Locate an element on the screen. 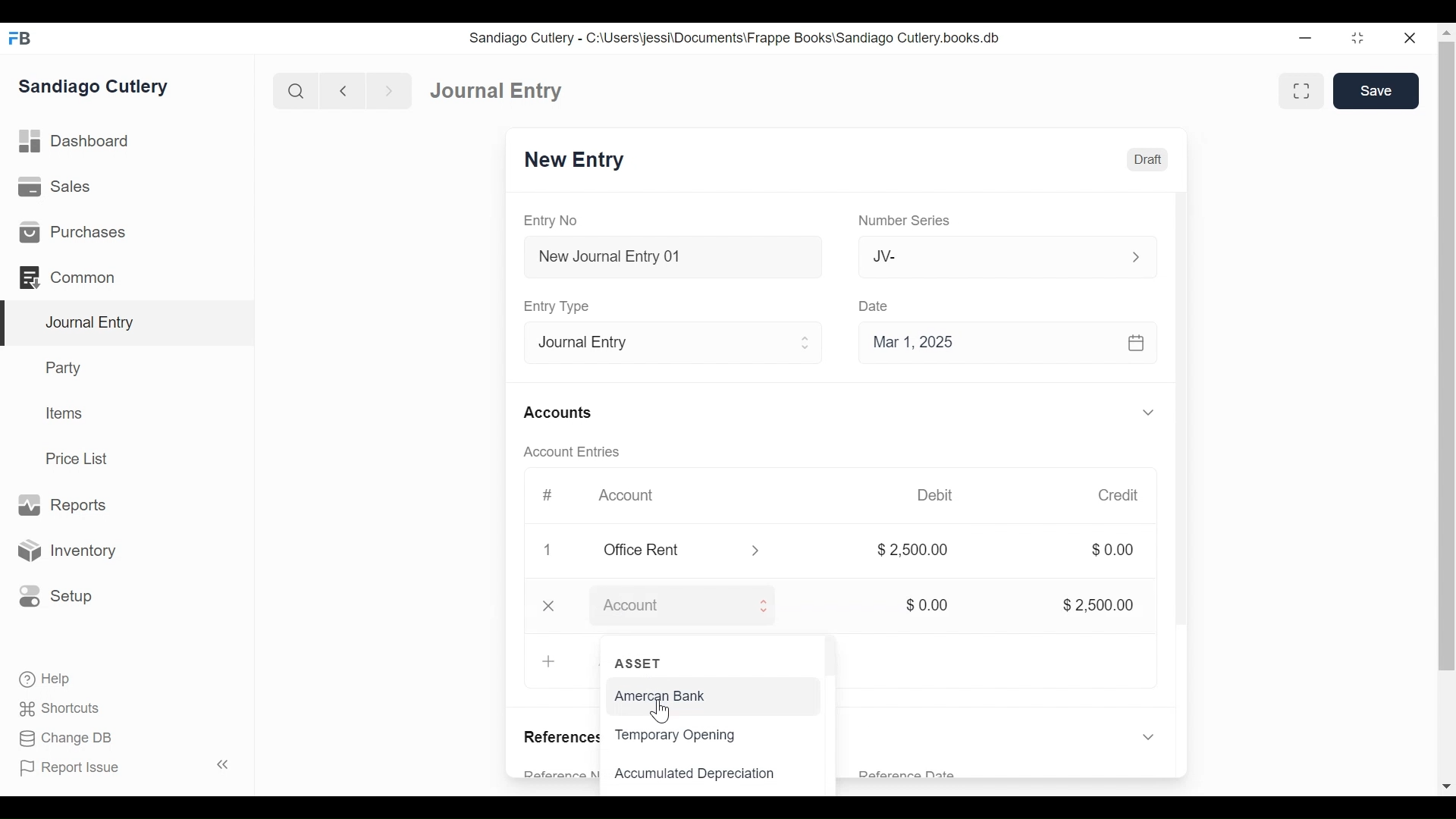  minimize is located at coordinates (1304, 35).